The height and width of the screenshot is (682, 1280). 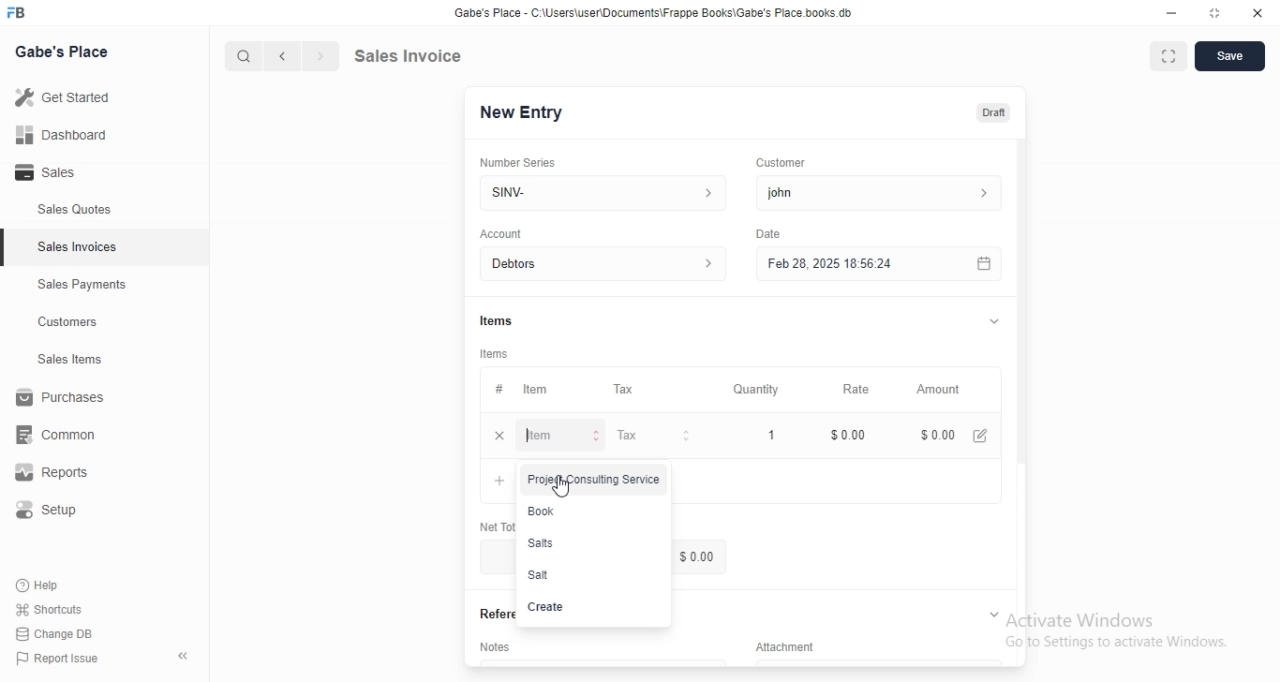 What do you see at coordinates (68, 99) in the screenshot?
I see `Getstared` at bounding box center [68, 99].